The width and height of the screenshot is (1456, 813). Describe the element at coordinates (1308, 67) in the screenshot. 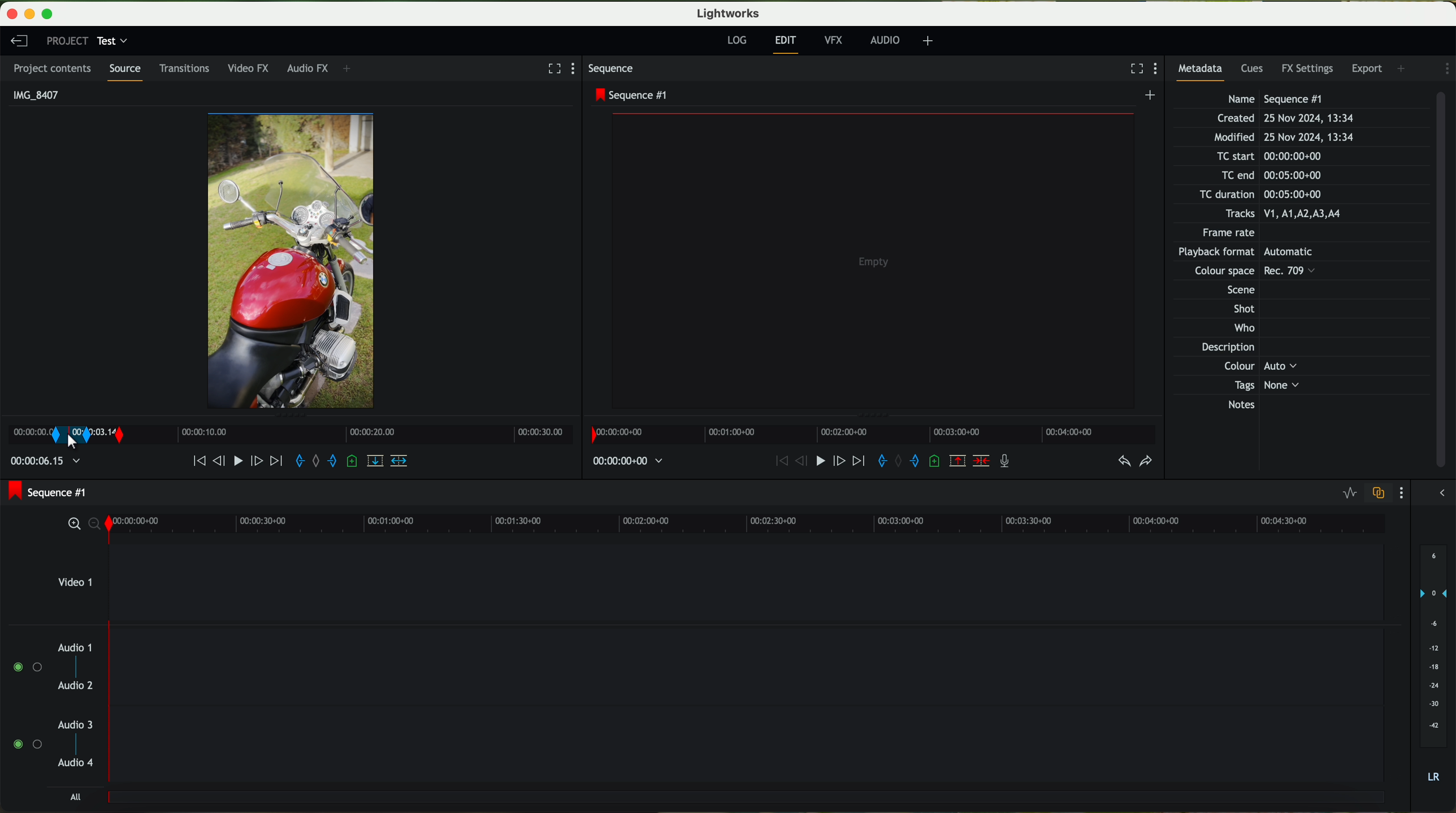

I see `FX settings` at that location.